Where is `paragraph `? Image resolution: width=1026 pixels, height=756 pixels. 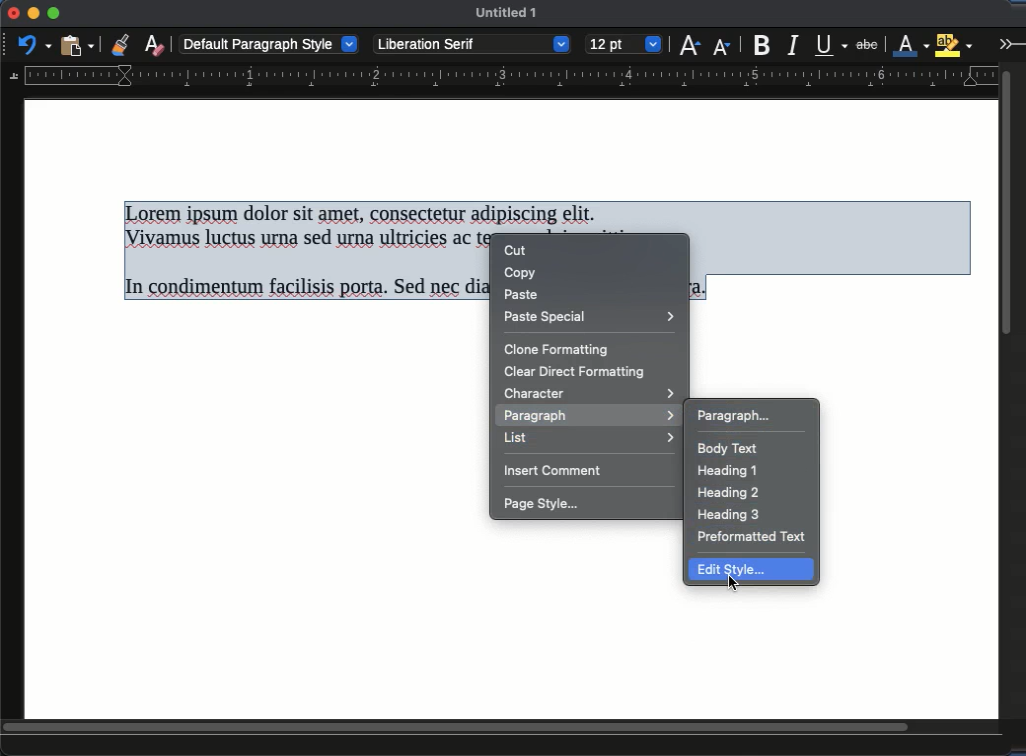 paragraph  is located at coordinates (734, 416).